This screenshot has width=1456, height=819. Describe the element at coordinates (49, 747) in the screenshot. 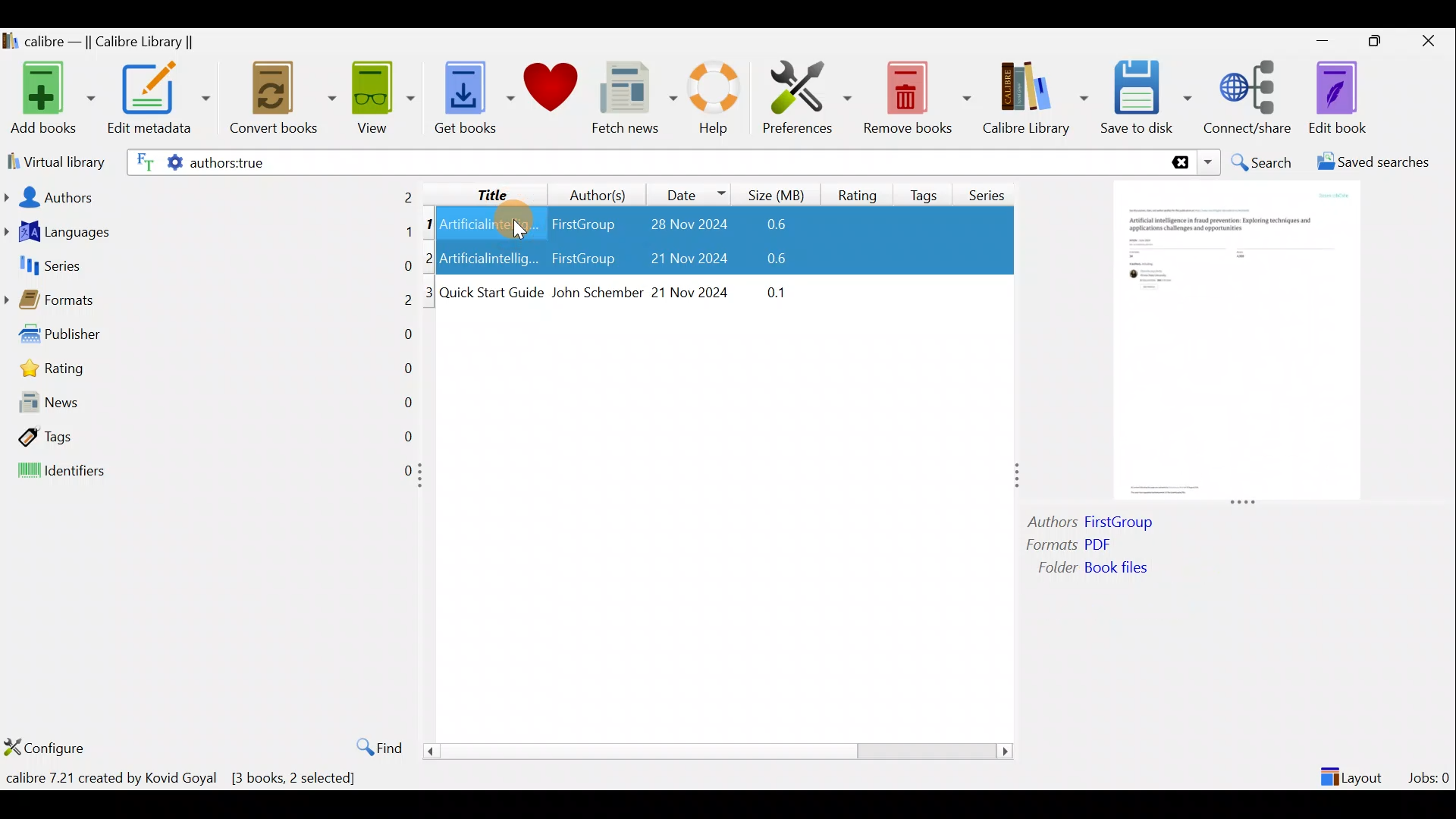

I see `Configure` at that location.